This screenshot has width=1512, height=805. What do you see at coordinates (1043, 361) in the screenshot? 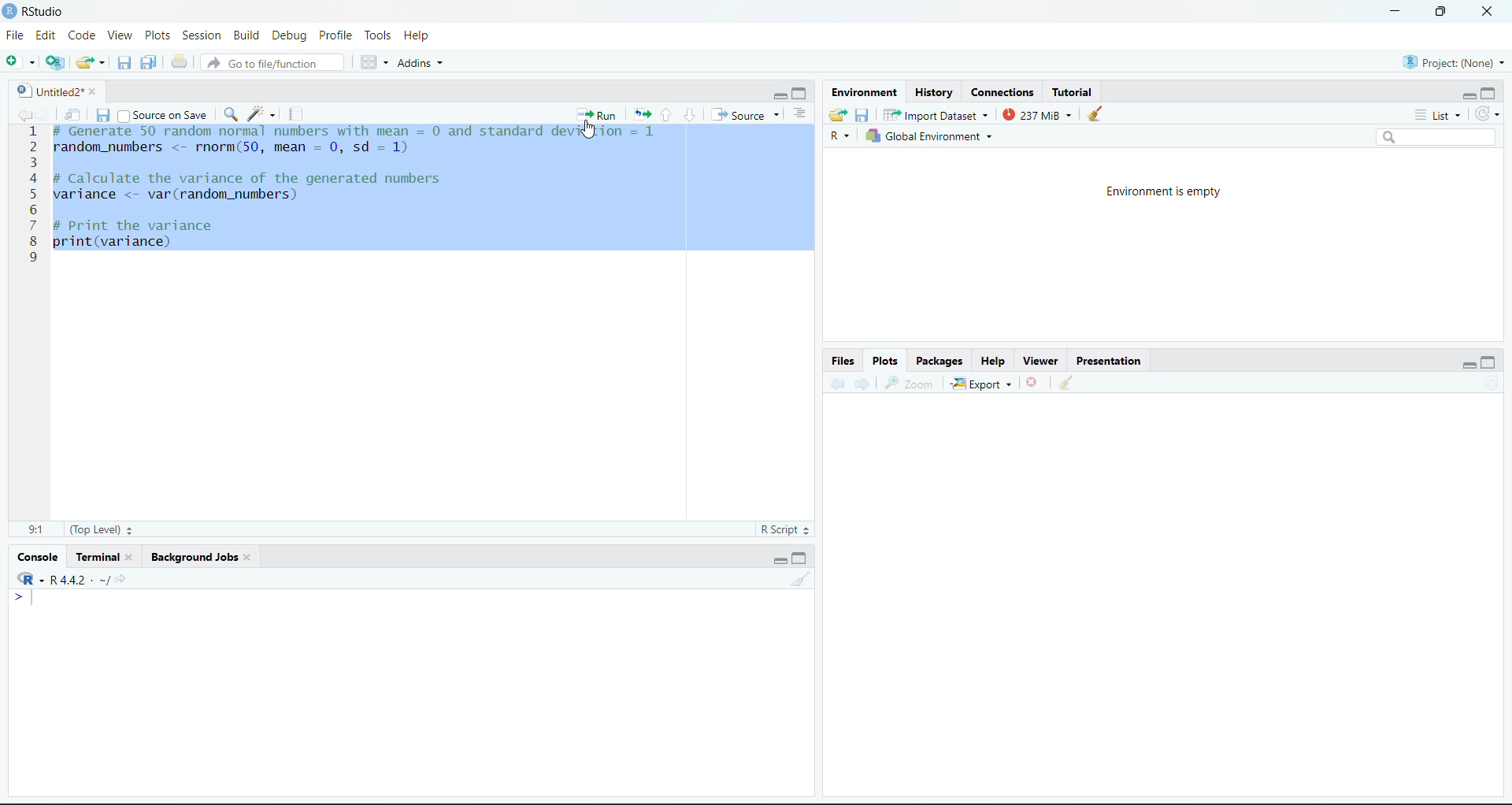
I see `Viewer` at bounding box center [1043, 361].